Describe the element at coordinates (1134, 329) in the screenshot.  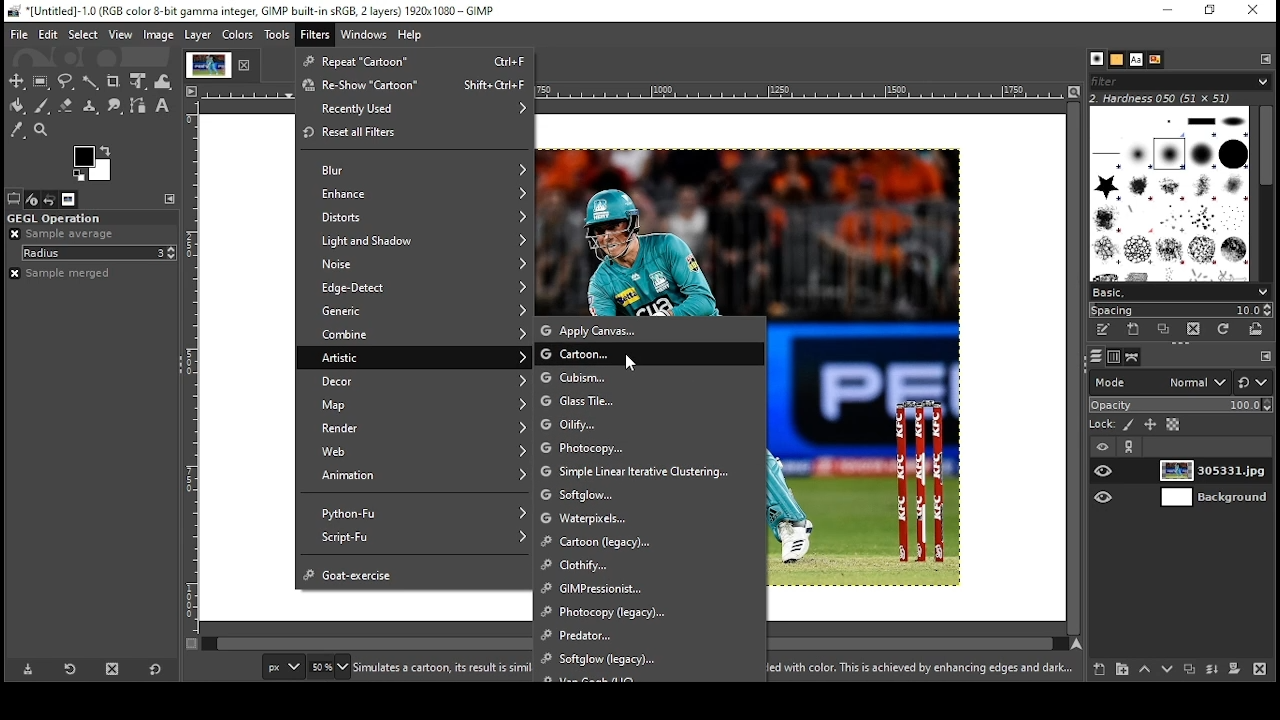
I see `create a new brush` at that location.